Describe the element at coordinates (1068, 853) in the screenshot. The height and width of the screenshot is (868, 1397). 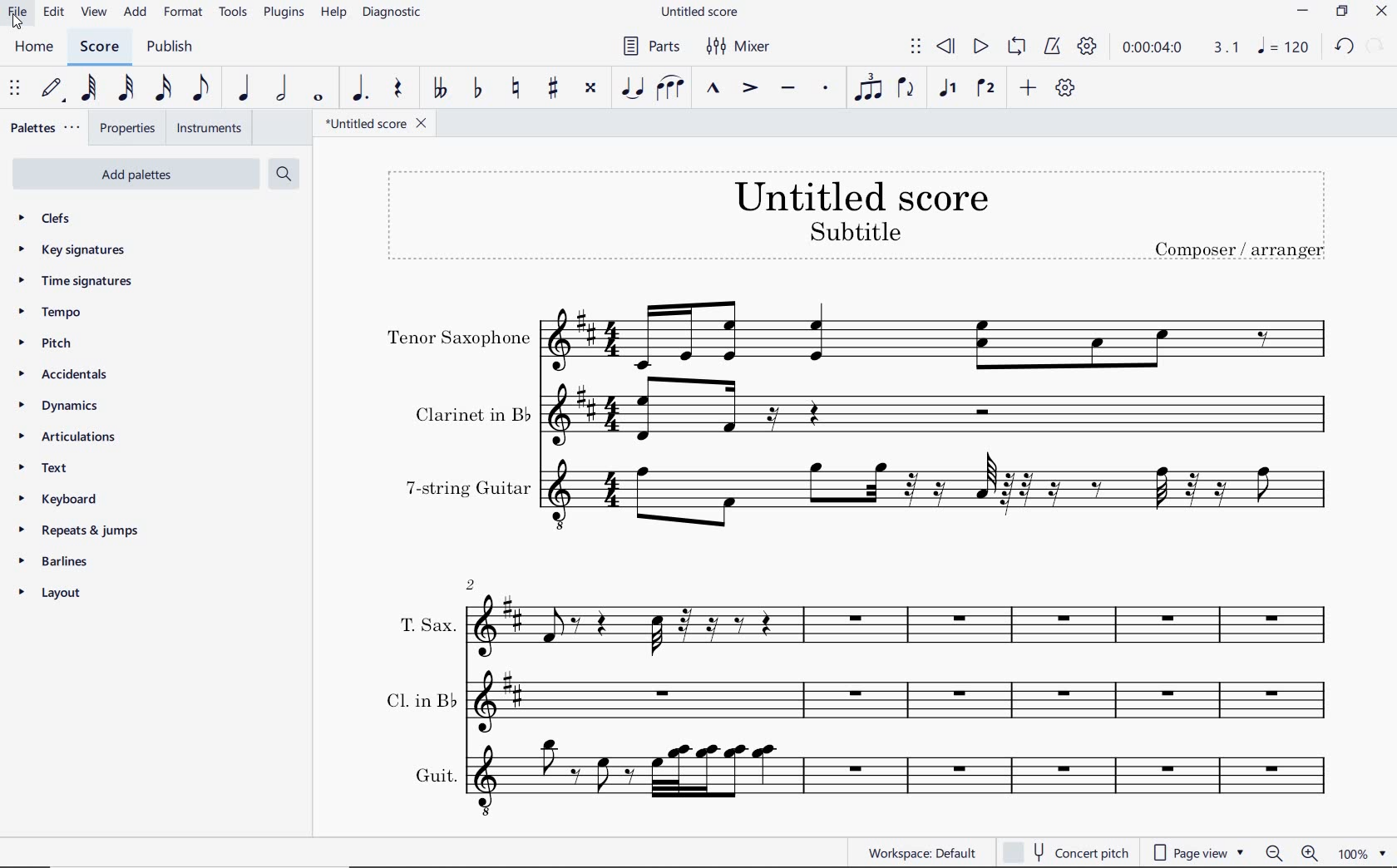
I see `concert pitch` at that location.